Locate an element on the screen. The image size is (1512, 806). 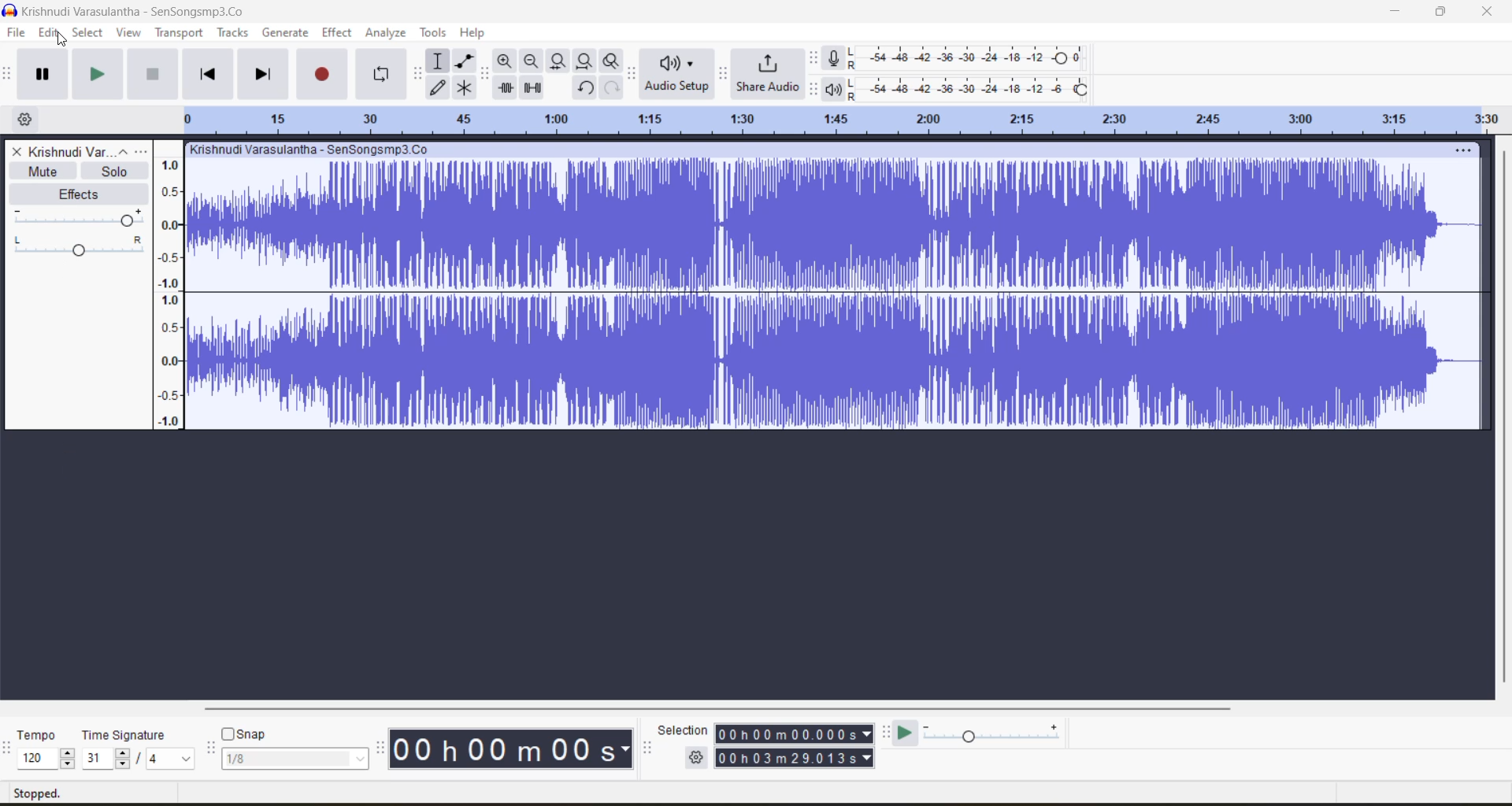
Scale to measure audio is located at coordinates (170, 284).